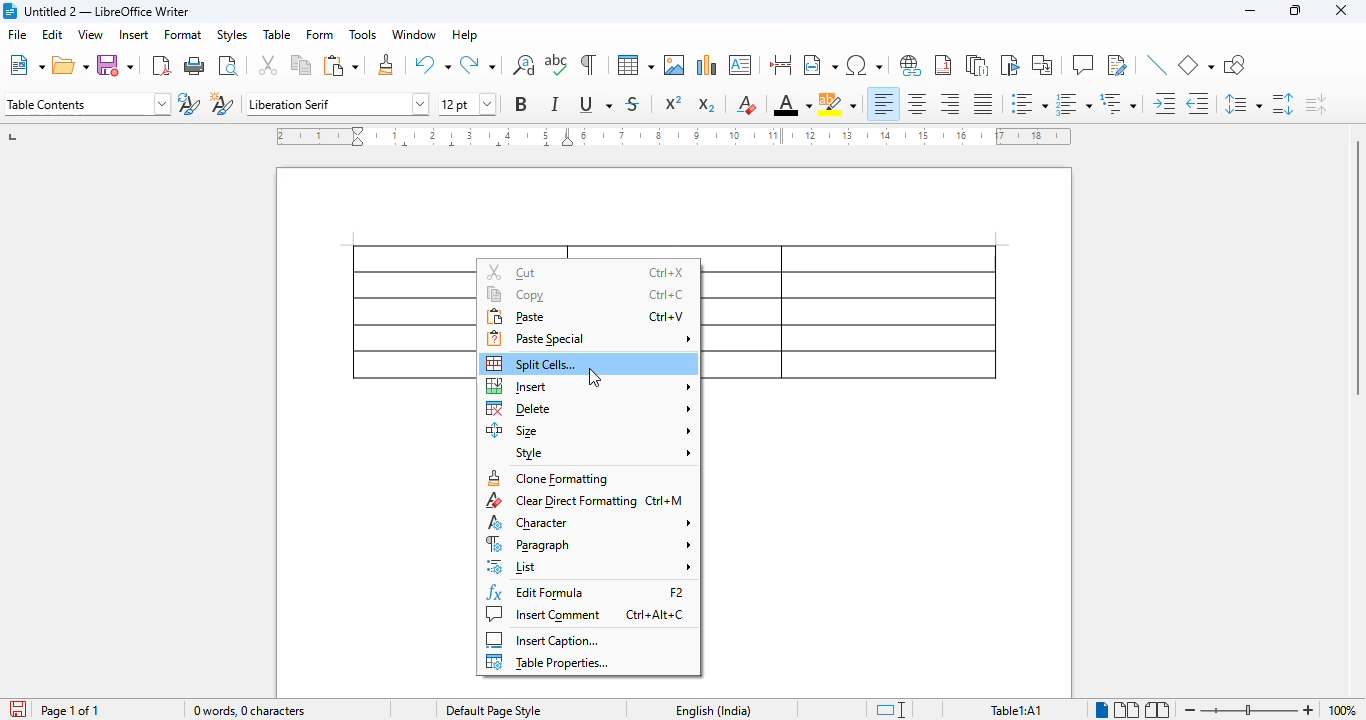 The image size is (1366, 720). What do you see at coordinates (1011, 65) in the screenshot?
I see `insert bookmark` at bounding box center [1011, 65].